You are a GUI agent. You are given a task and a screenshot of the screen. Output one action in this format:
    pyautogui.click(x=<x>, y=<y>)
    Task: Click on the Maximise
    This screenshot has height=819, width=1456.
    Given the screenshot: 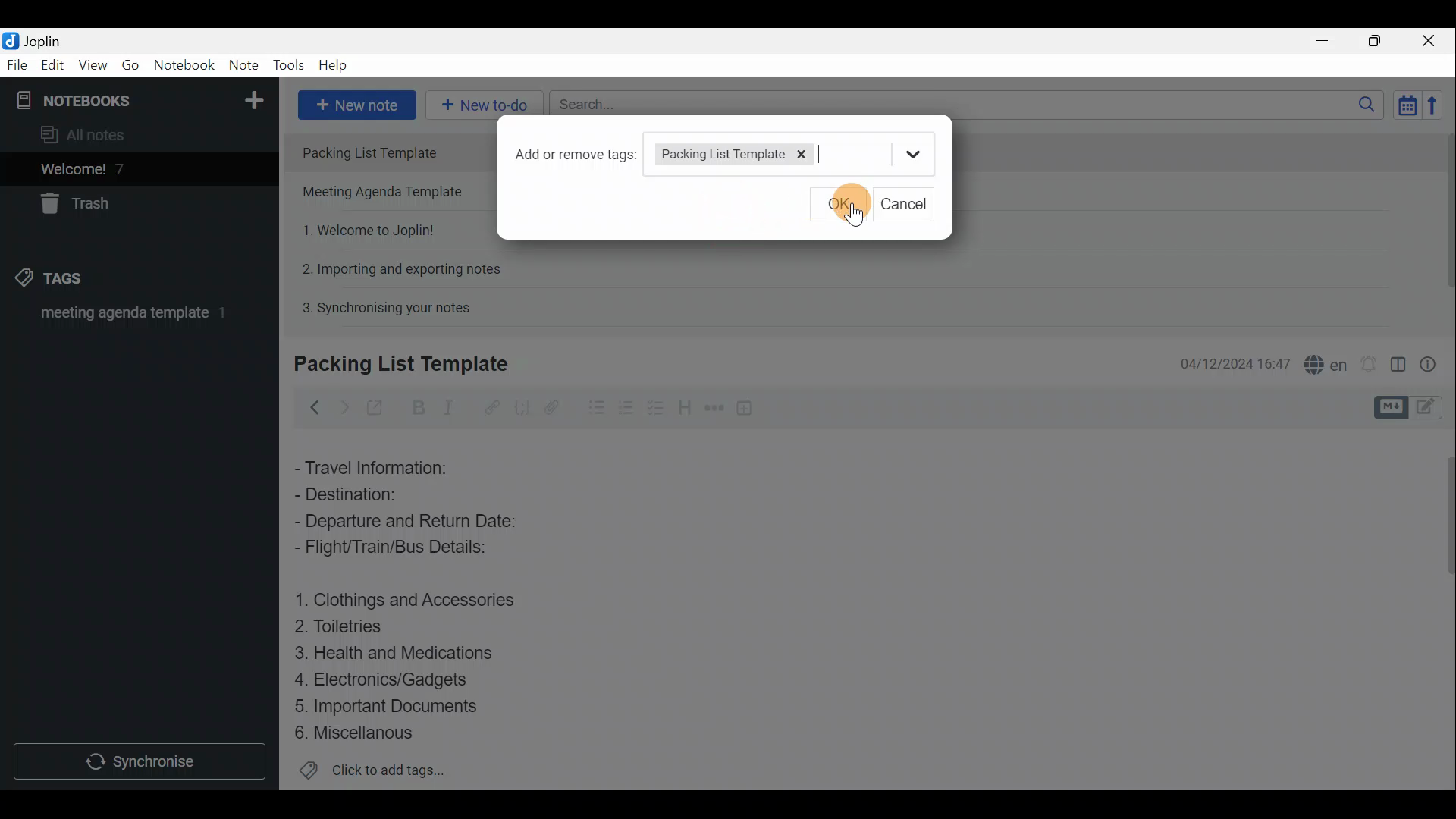 What is the action you would take?
    pyautogui.click(x=1380, y=41)
    